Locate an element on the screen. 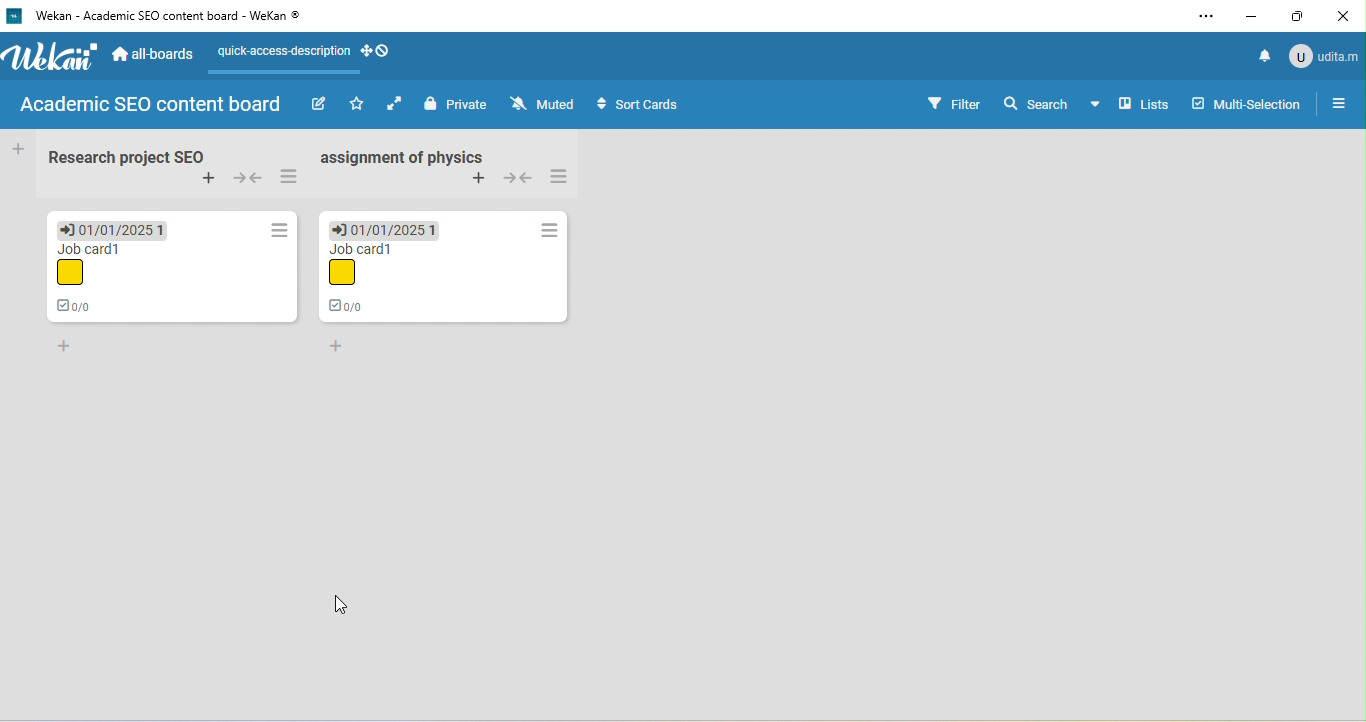 The width and height of the screenshot is (1366, 722). collapse is located at coordinates (518, 176).